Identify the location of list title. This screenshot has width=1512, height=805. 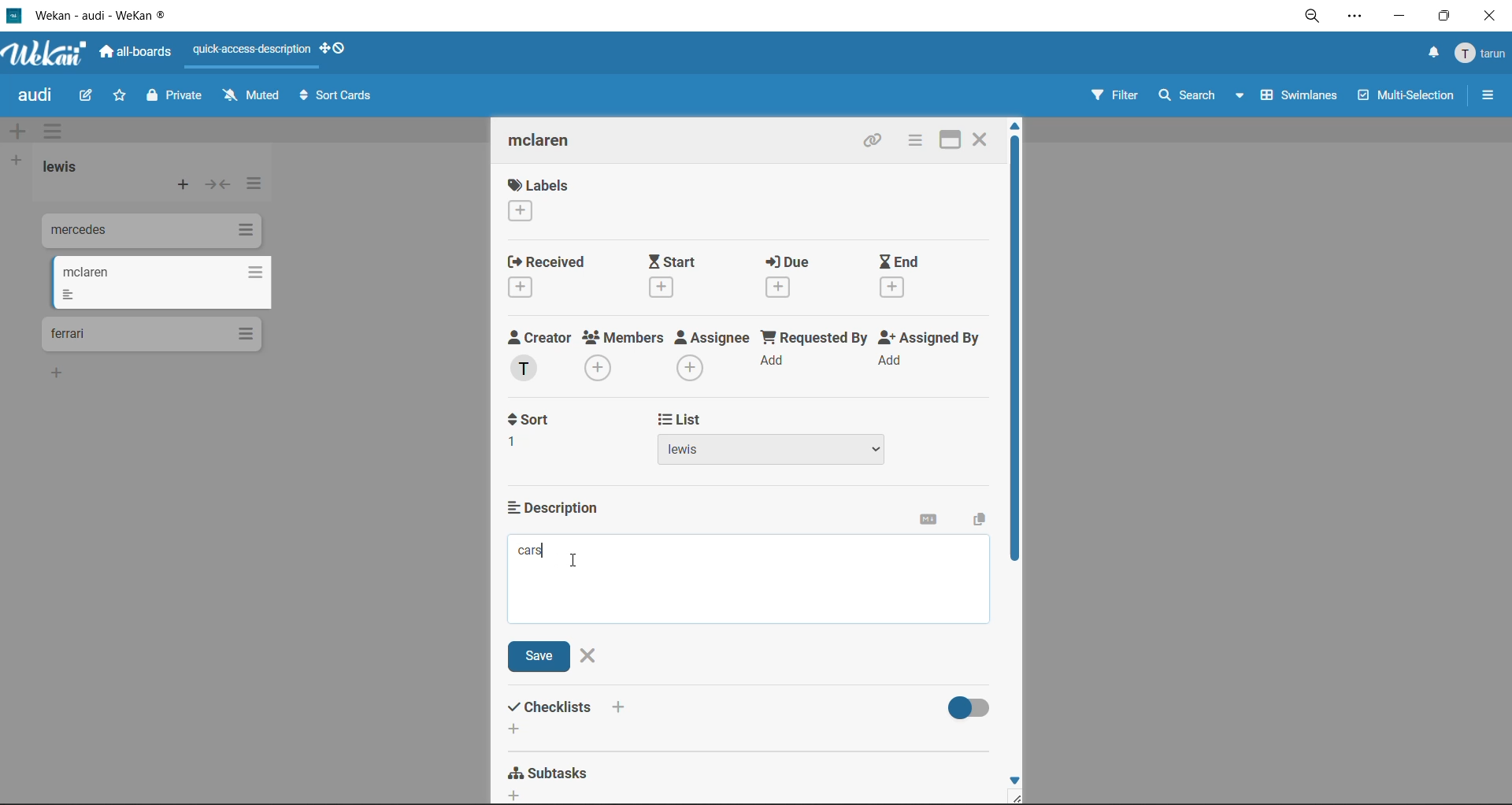
(67, 169).